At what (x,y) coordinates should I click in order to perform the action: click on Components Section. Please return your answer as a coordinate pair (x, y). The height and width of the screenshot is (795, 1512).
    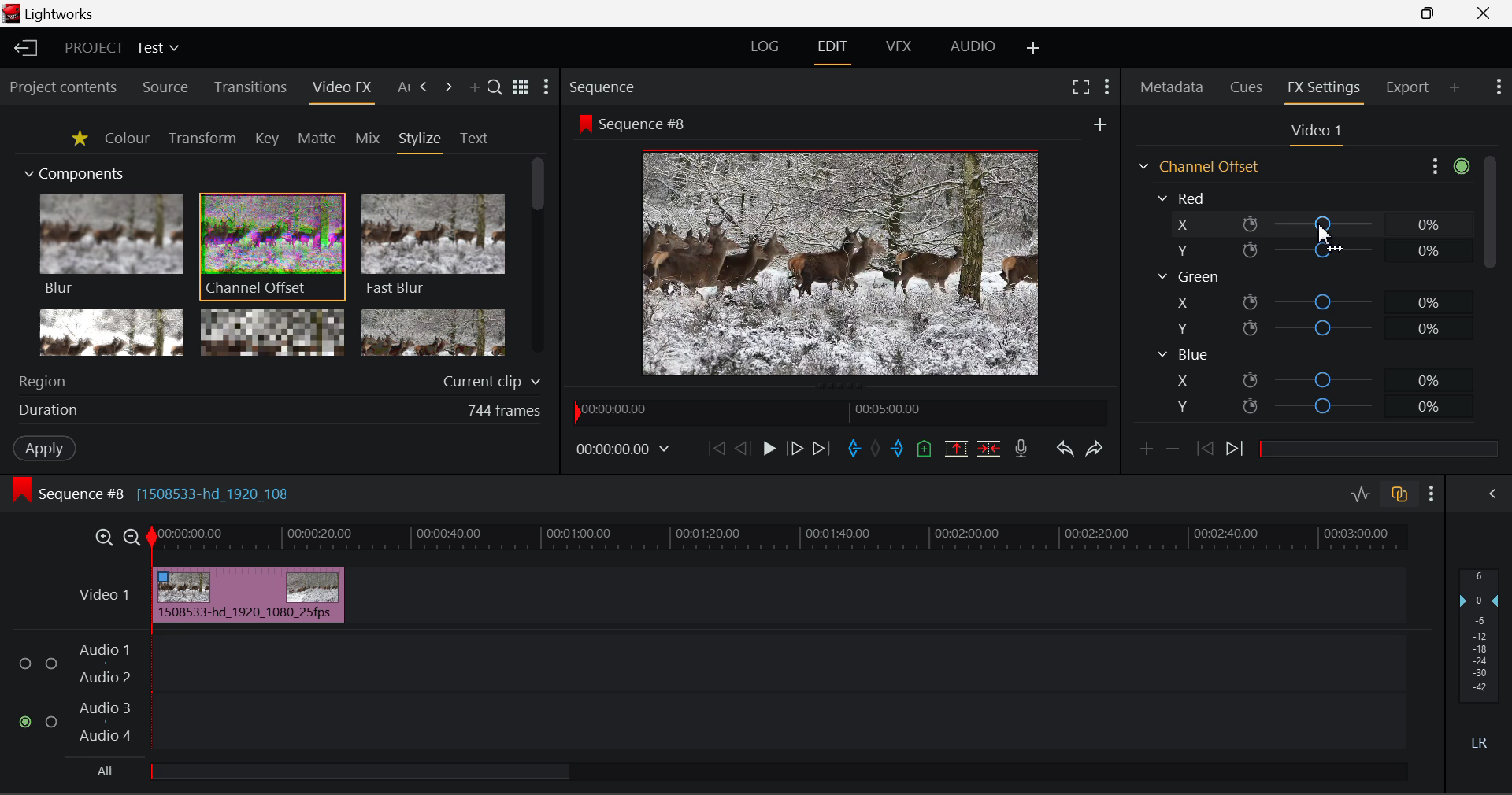
    Looking at the image, I should click on (72, 171).